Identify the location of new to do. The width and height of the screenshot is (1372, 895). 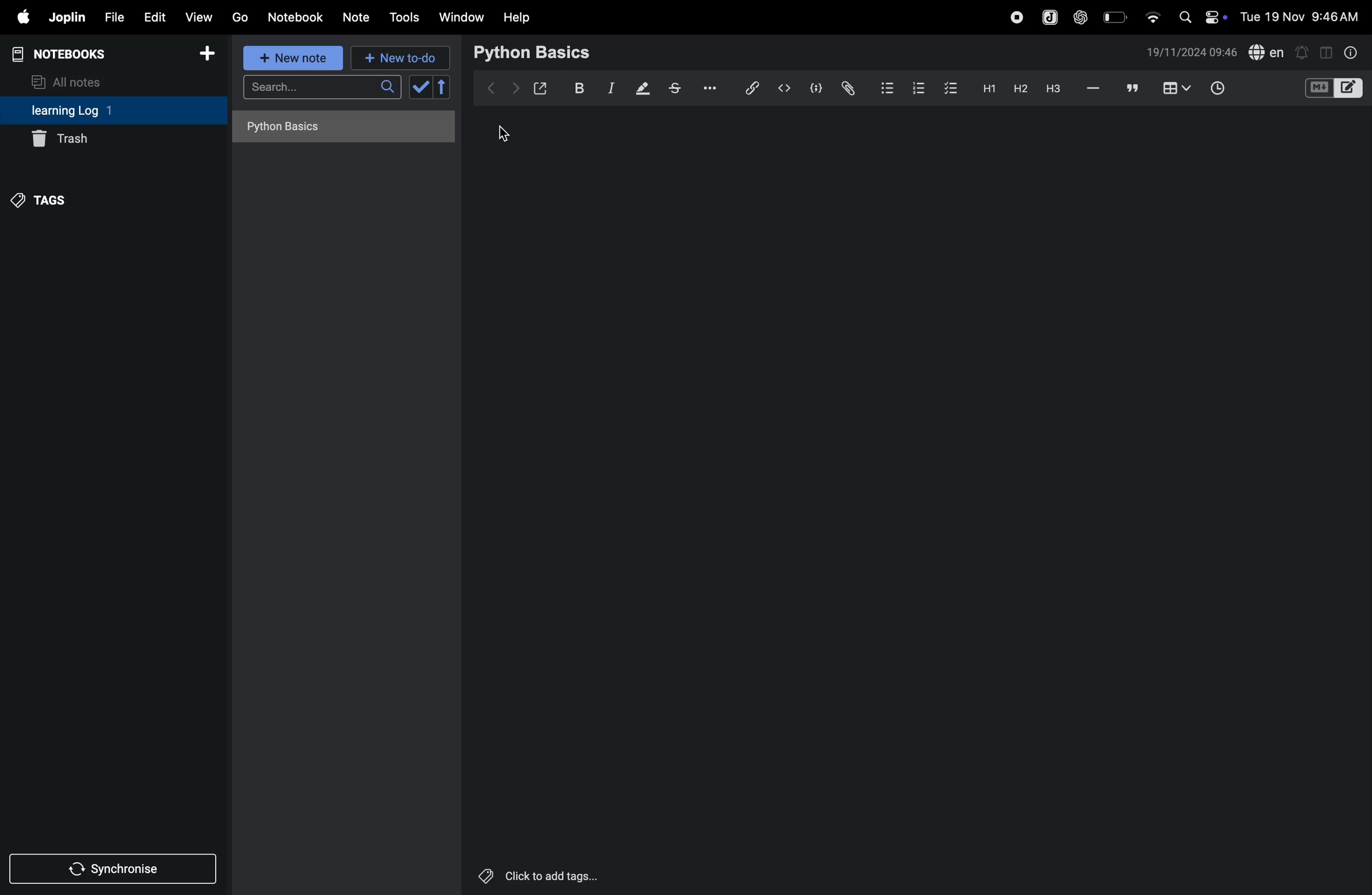
(395, 55).